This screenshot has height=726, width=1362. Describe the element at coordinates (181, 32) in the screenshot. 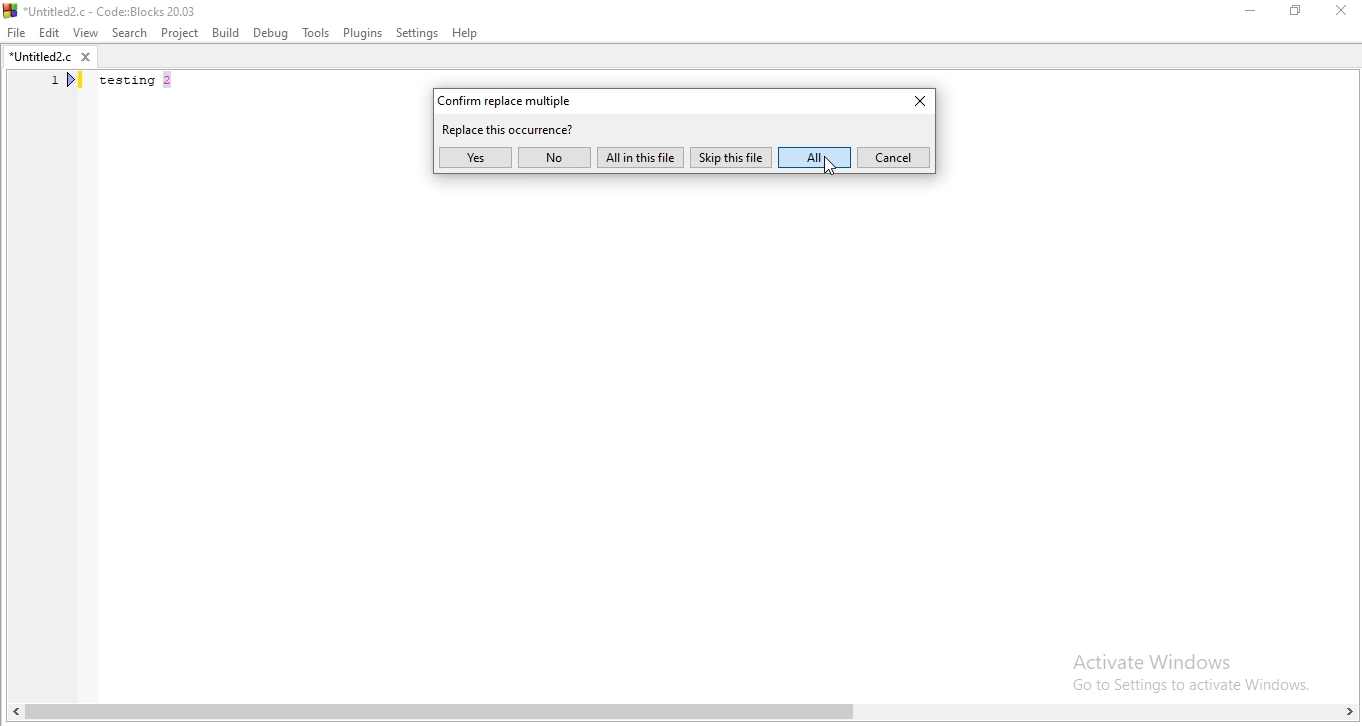

I see `Project ` at that location.